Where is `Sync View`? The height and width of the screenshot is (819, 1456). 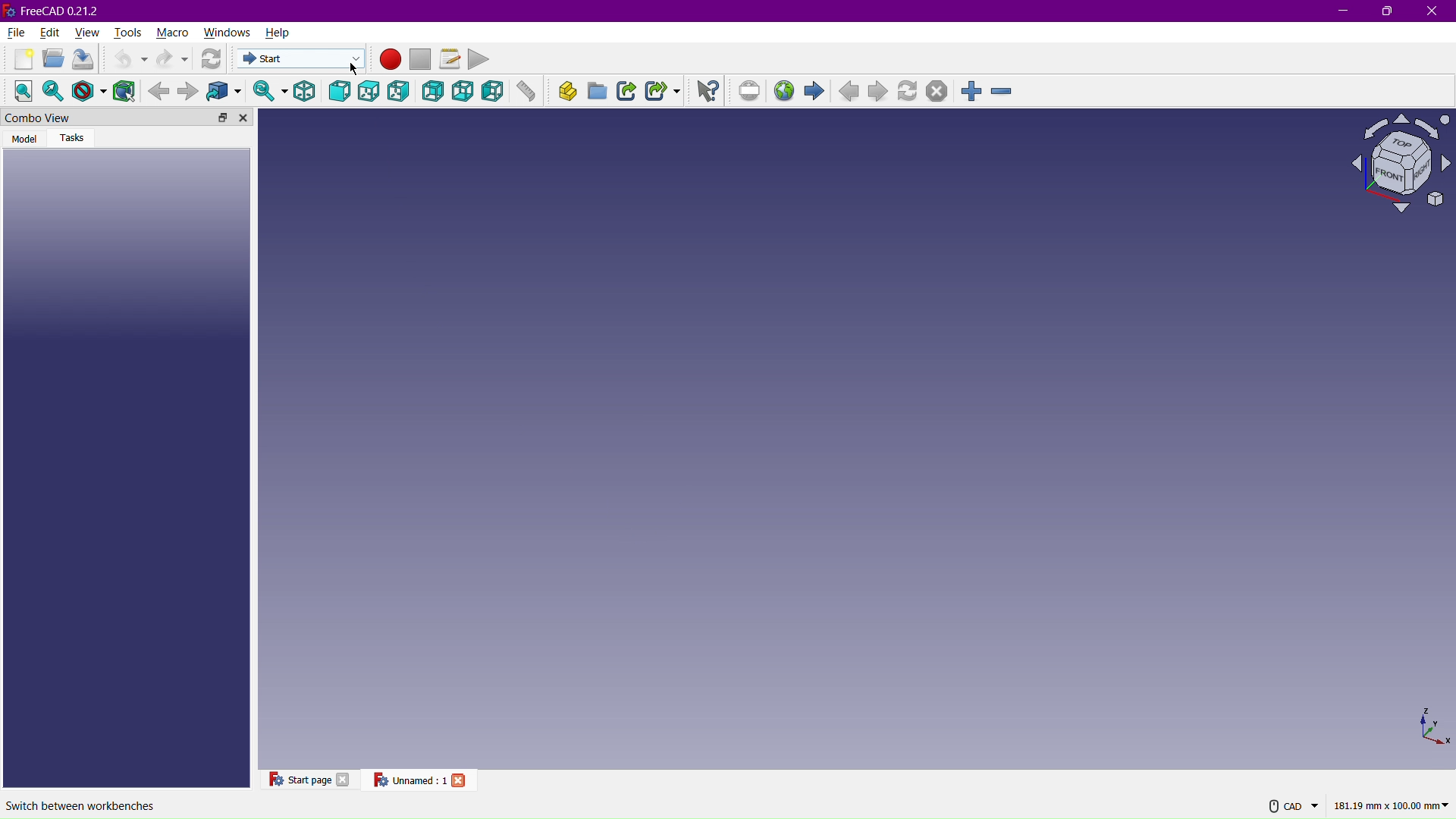
Sync View is located at coordinates (267, 89).